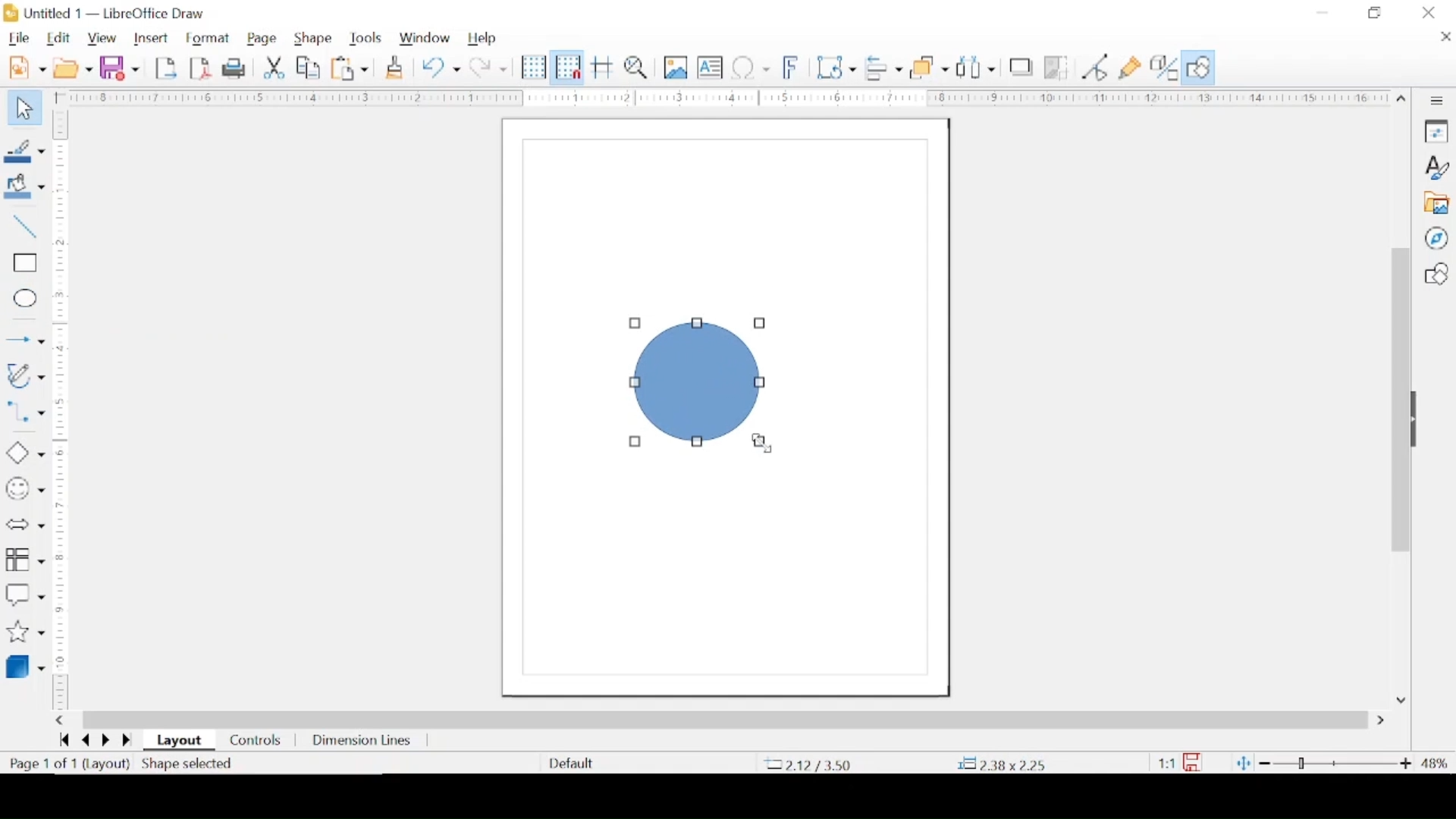  I want to click on insert image, so click(676, 68).